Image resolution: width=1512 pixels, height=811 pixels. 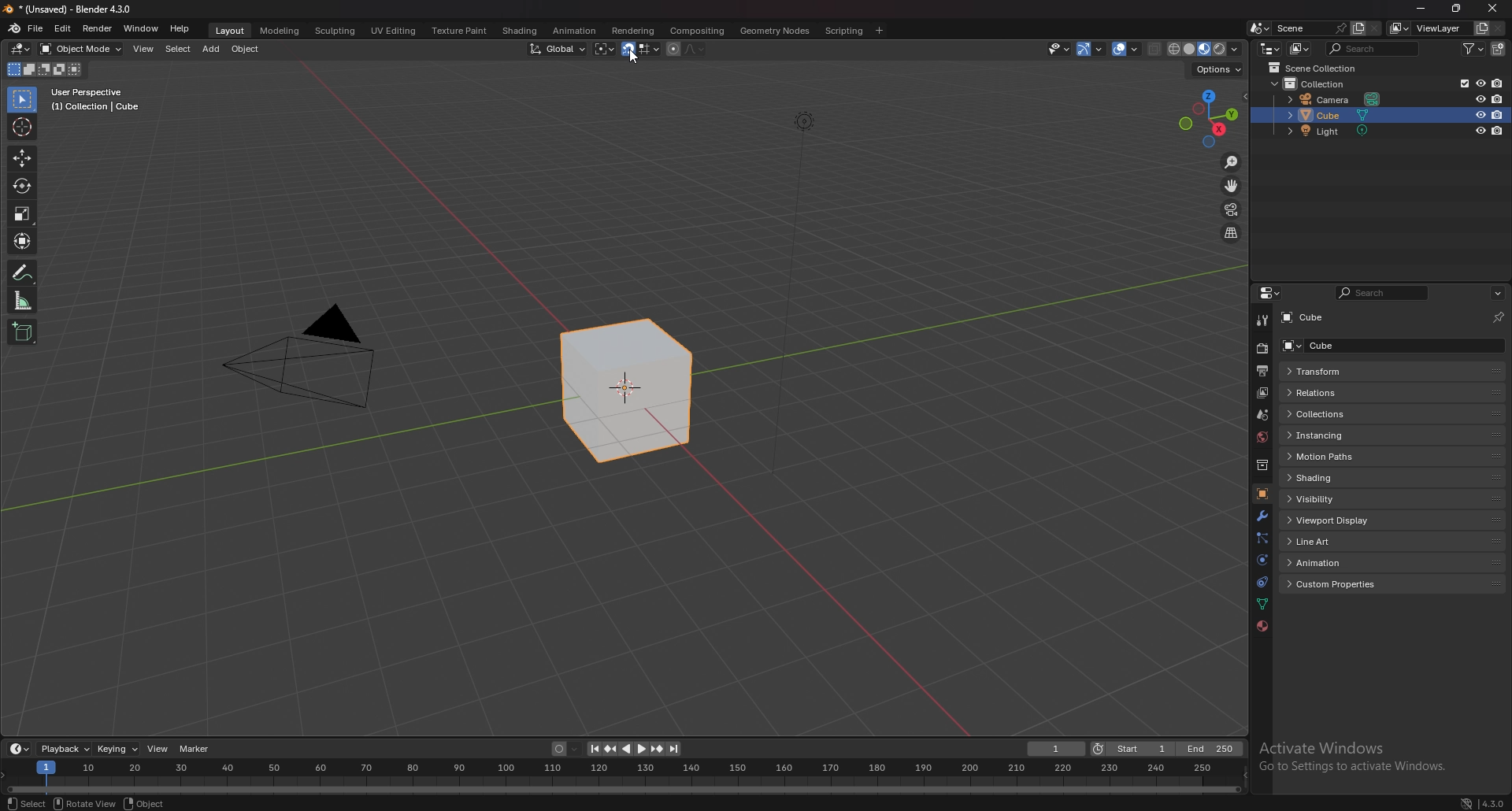 I want to click on rotate, so click(x=23, y=185).